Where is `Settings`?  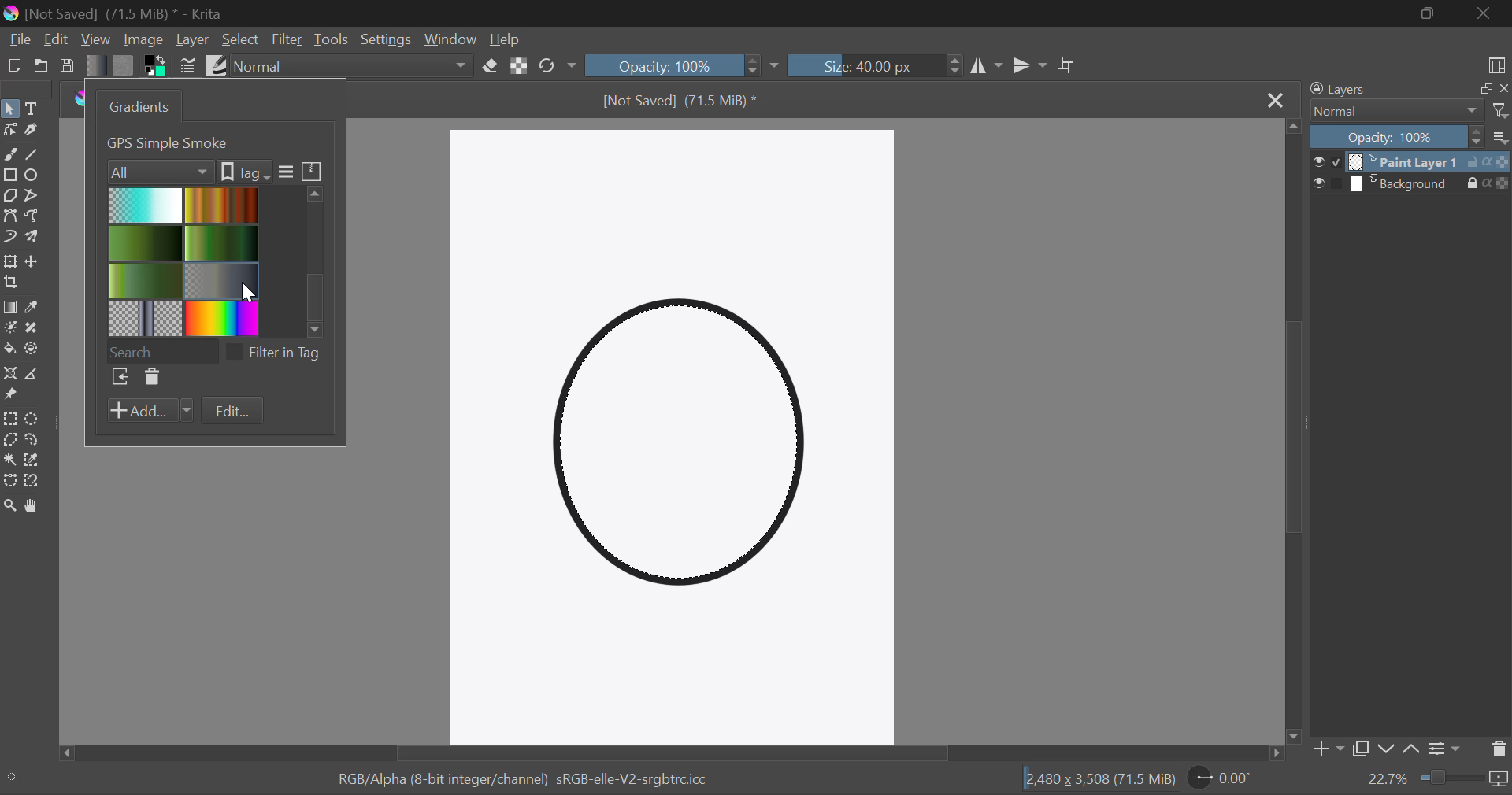
Settings is located at coordinates (384, 39).